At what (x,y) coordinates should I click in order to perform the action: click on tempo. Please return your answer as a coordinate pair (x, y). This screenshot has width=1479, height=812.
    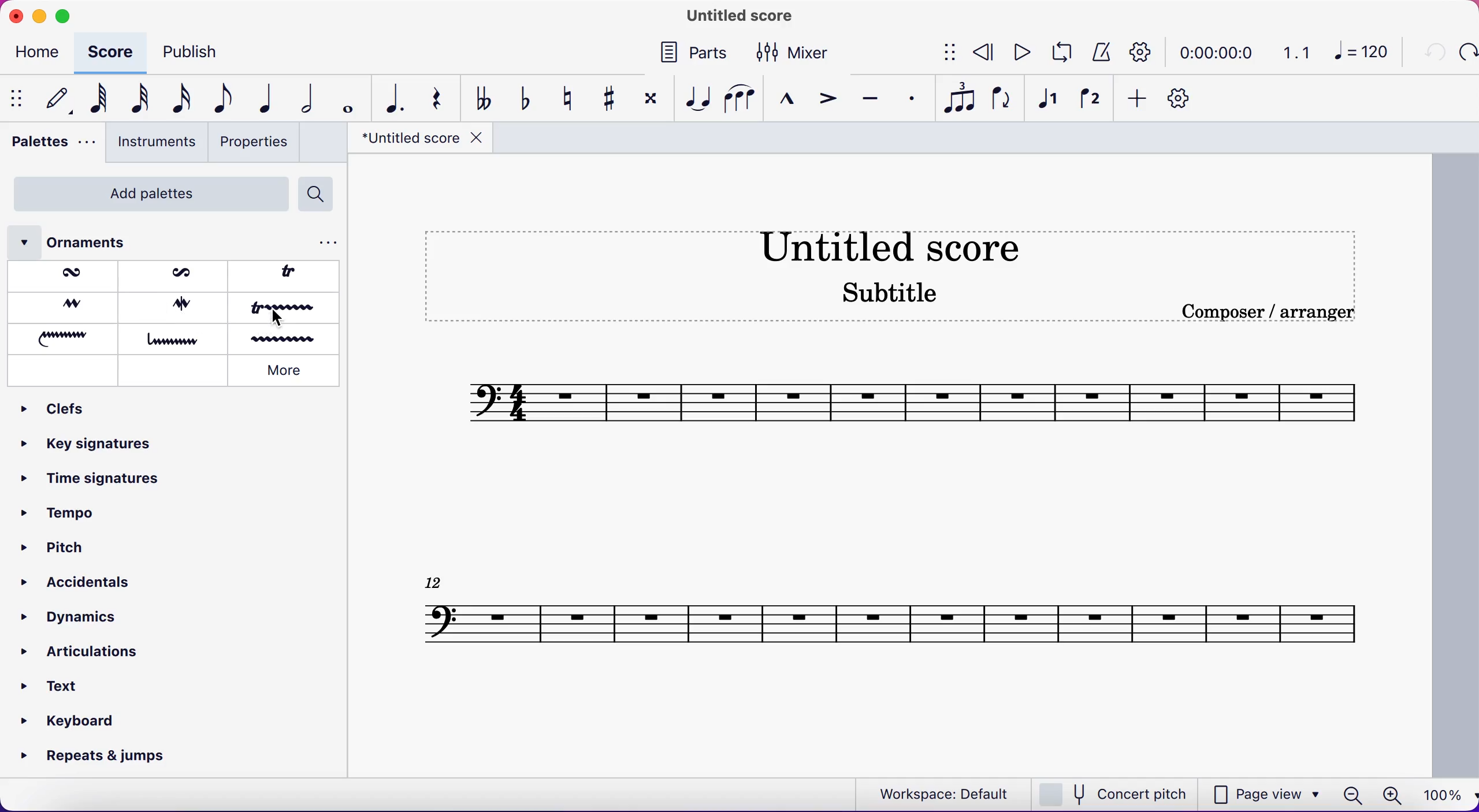
    Looking at the image, I should click on (68, 517).